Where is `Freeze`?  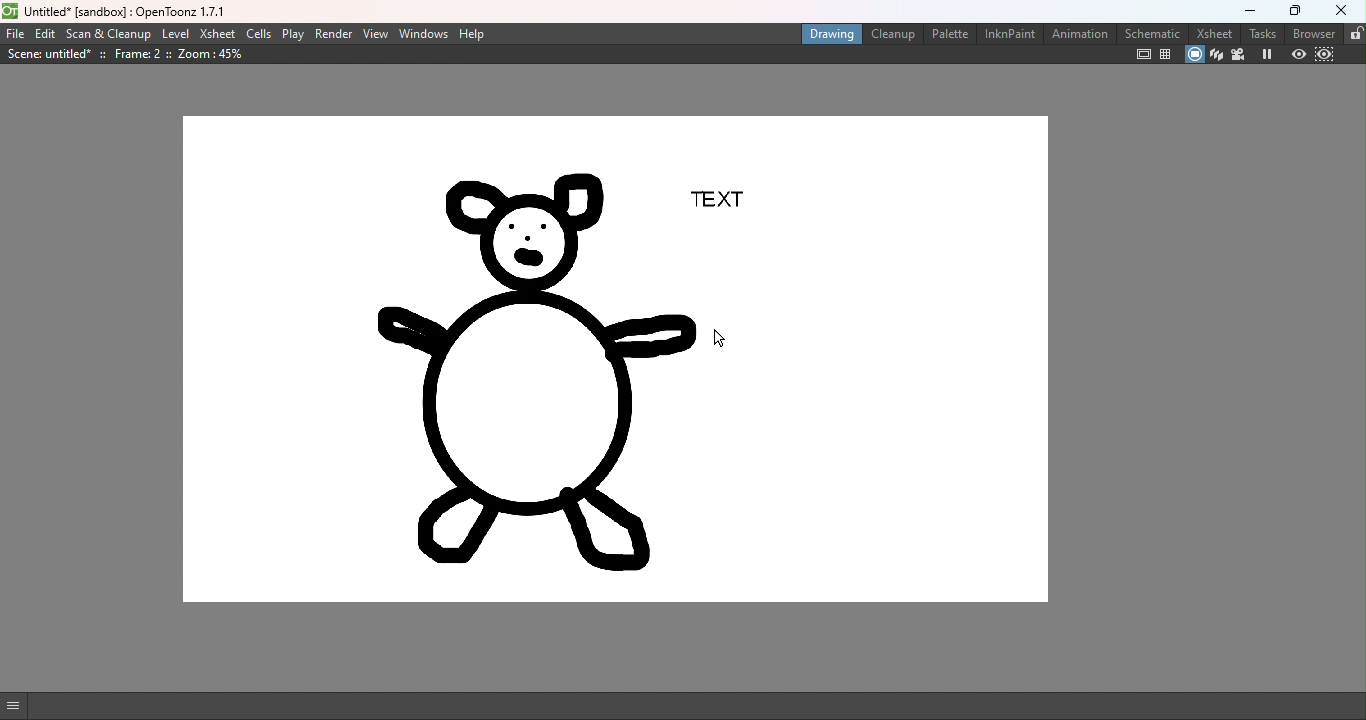
Freeze is located at coordinates (1268, 55).